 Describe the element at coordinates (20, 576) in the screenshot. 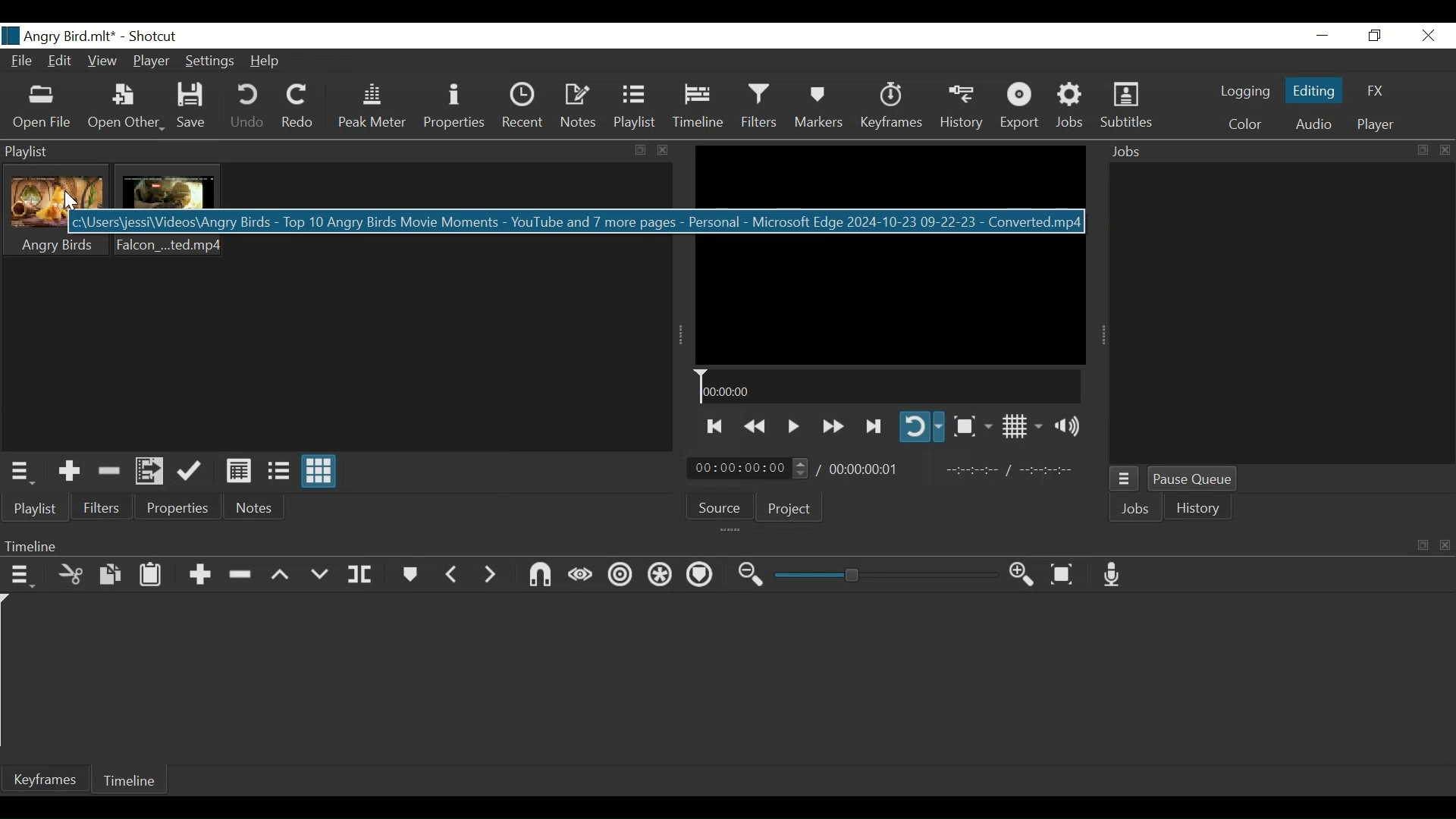

I see `Timeline menu` at that location.